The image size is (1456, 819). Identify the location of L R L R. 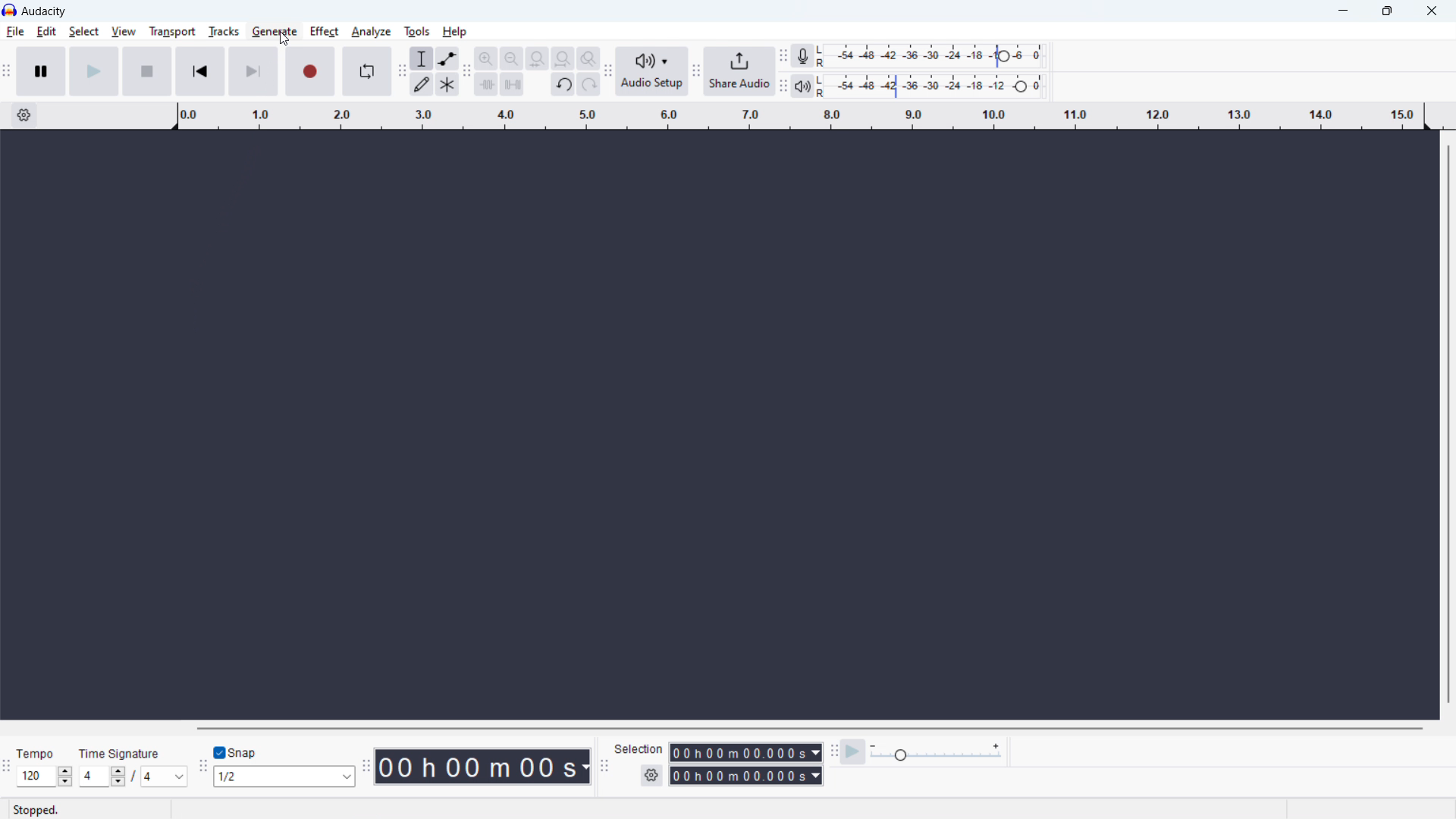
(822, 69).